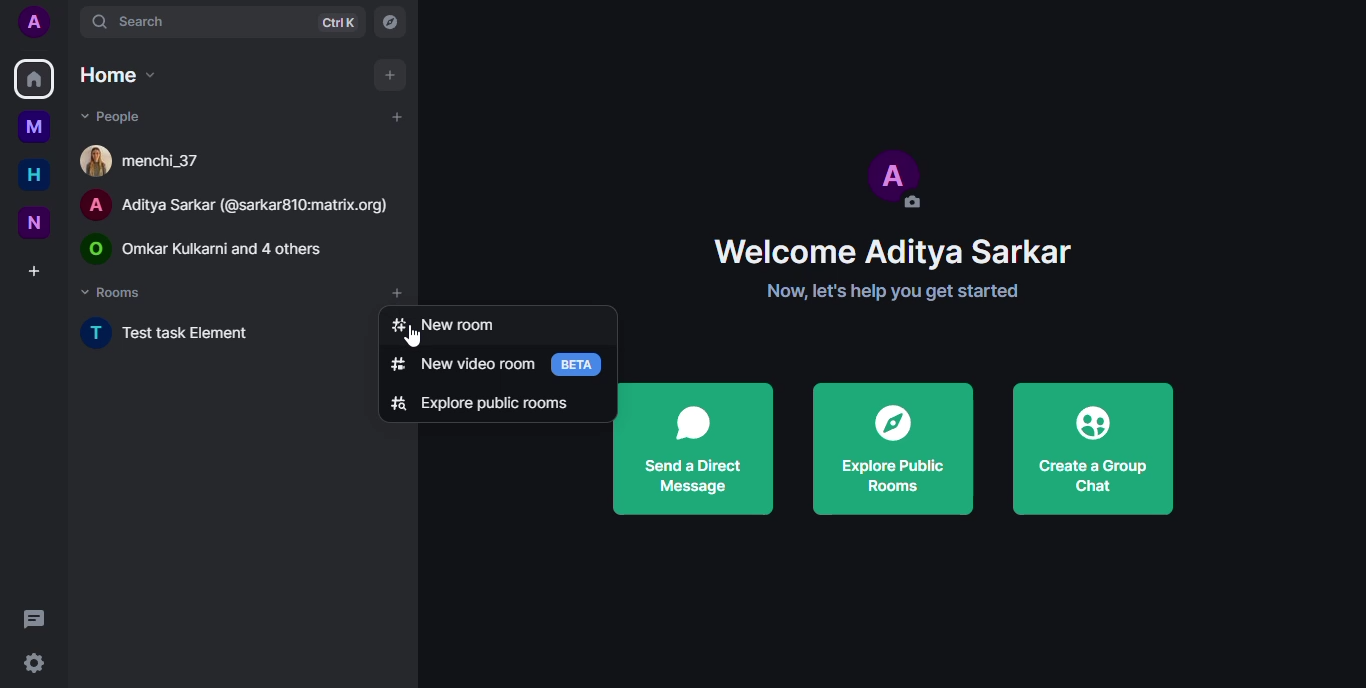  Describe the element at coordinates (849, 292) in the screenshot. I see `Now, let's help you get started` at that location.